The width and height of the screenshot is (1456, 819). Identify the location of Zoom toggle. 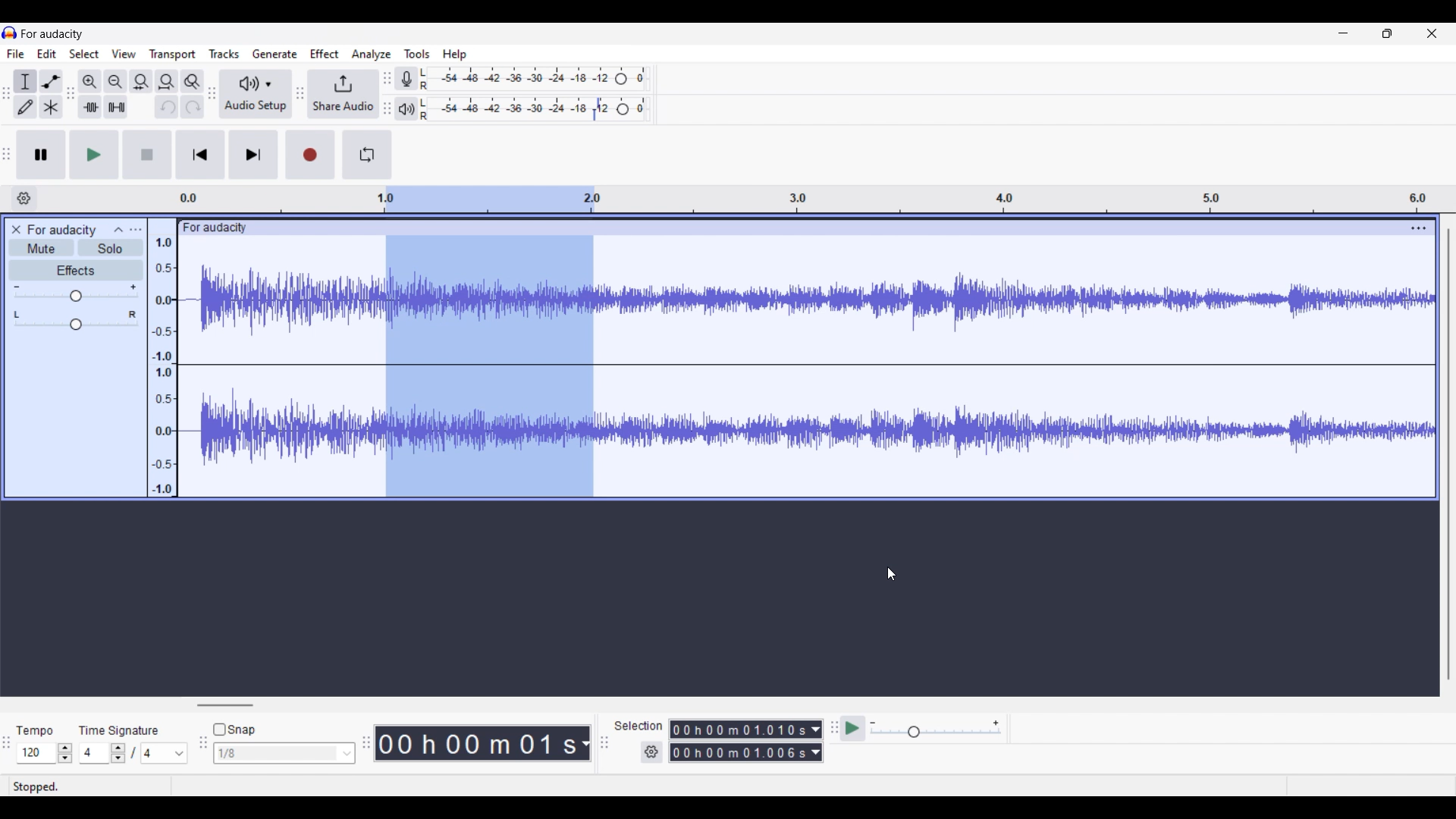
(193, 82).